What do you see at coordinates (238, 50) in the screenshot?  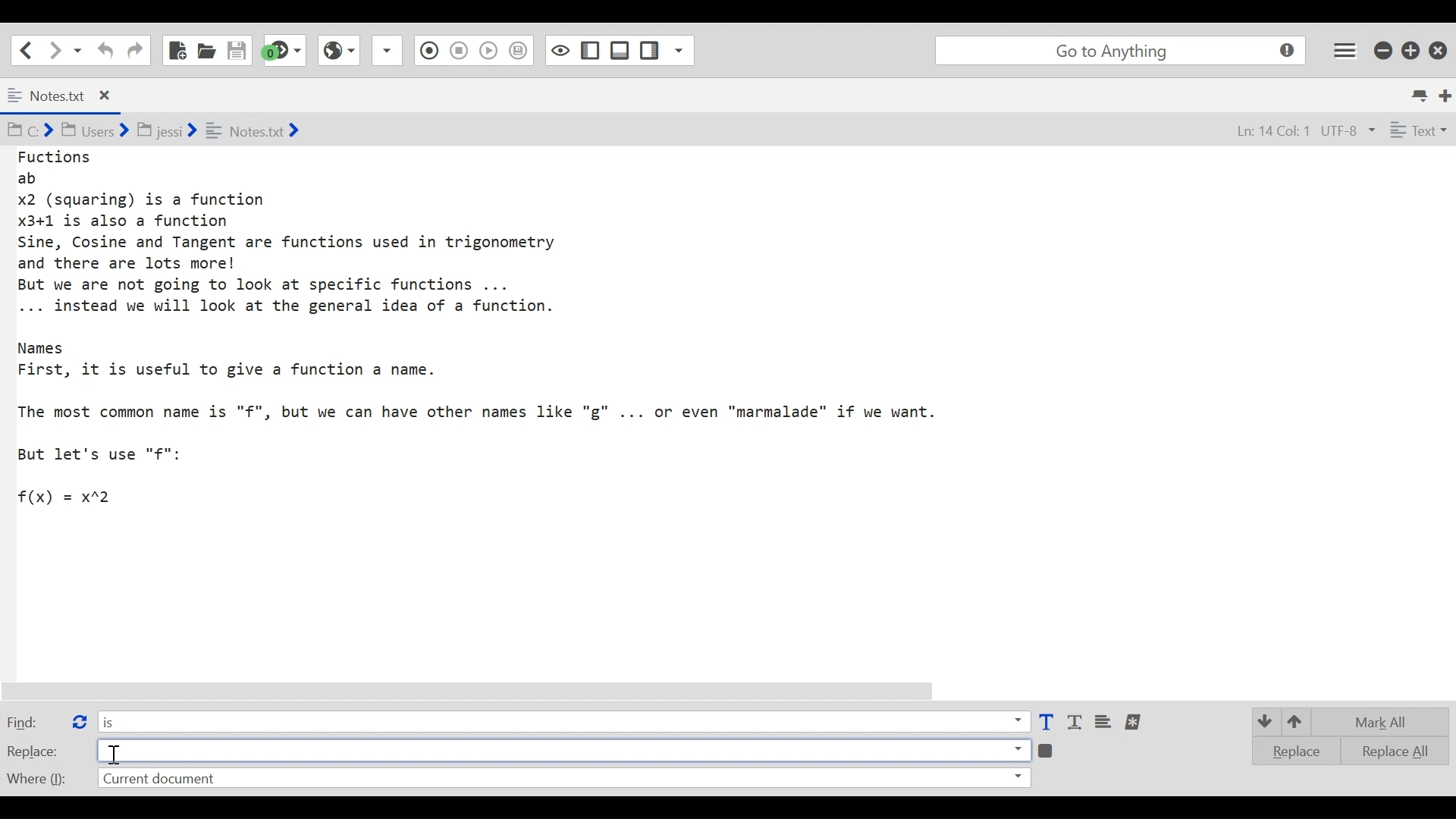 I see `Save File` at bounding box center [238, 50].